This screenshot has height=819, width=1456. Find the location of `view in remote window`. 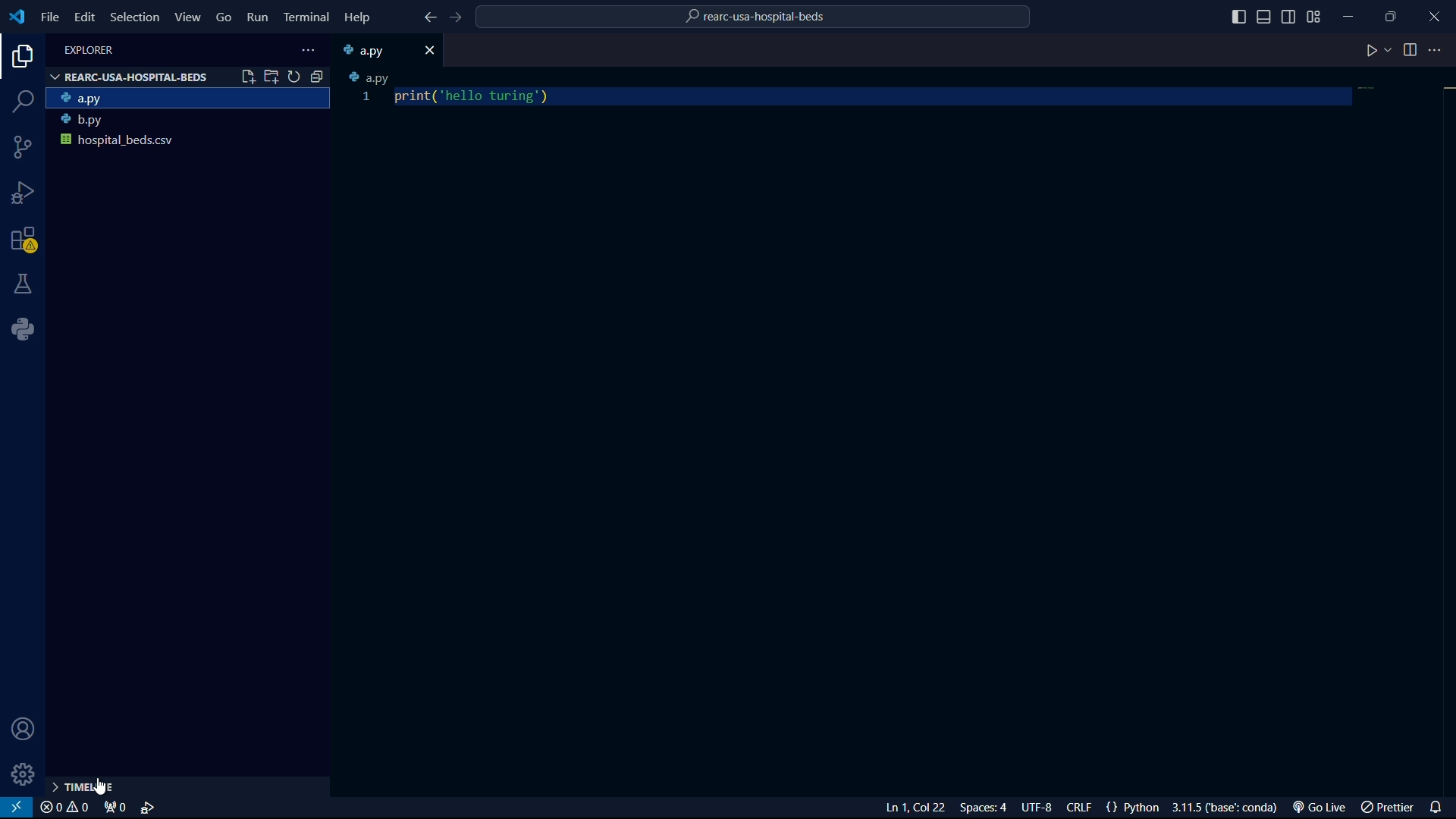

view in remote window is located at coordinates (18, 808).